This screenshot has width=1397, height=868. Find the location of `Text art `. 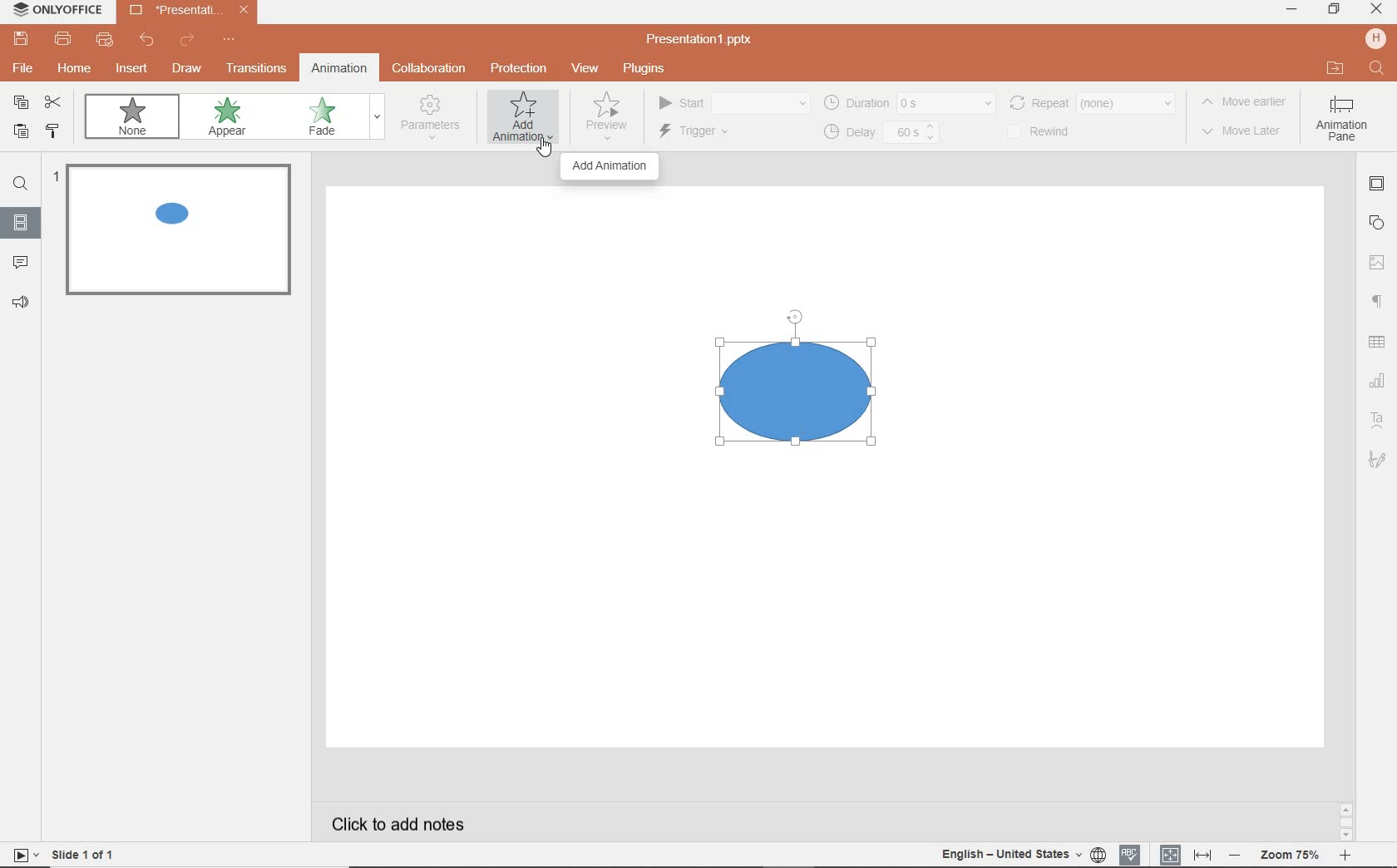

Text art  is located at coordinates (1375, 418).